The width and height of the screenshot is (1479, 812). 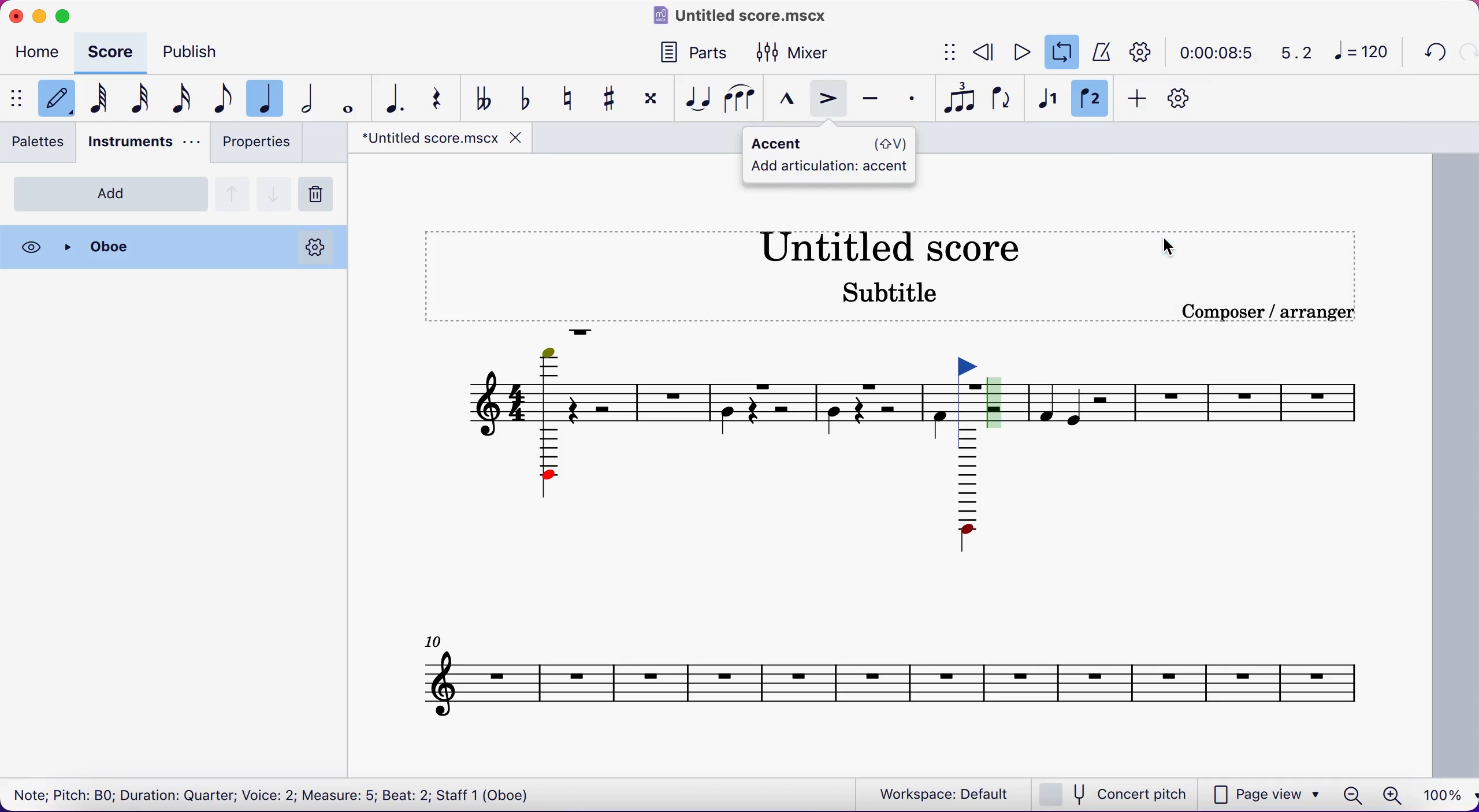 What do you see at coordinates (68, 13) in the screenshot?
I see `maximize` at bounding box center [68, 13].